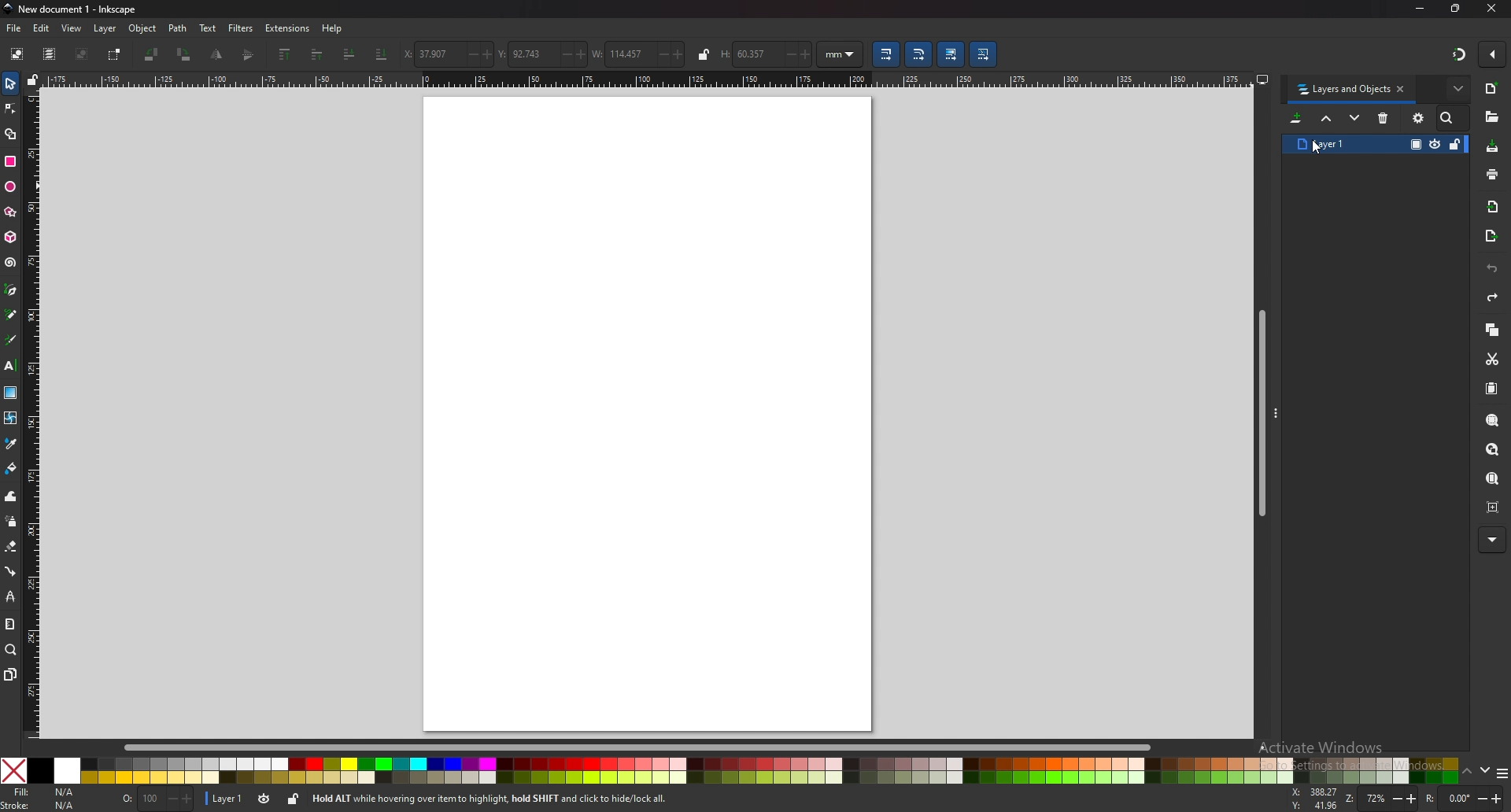 This screenshot has height=812, width=1511. What do you see at coordinates (10, 211) in the screenshot?
I see `stars and polygons` at bounding box center [10, 211].